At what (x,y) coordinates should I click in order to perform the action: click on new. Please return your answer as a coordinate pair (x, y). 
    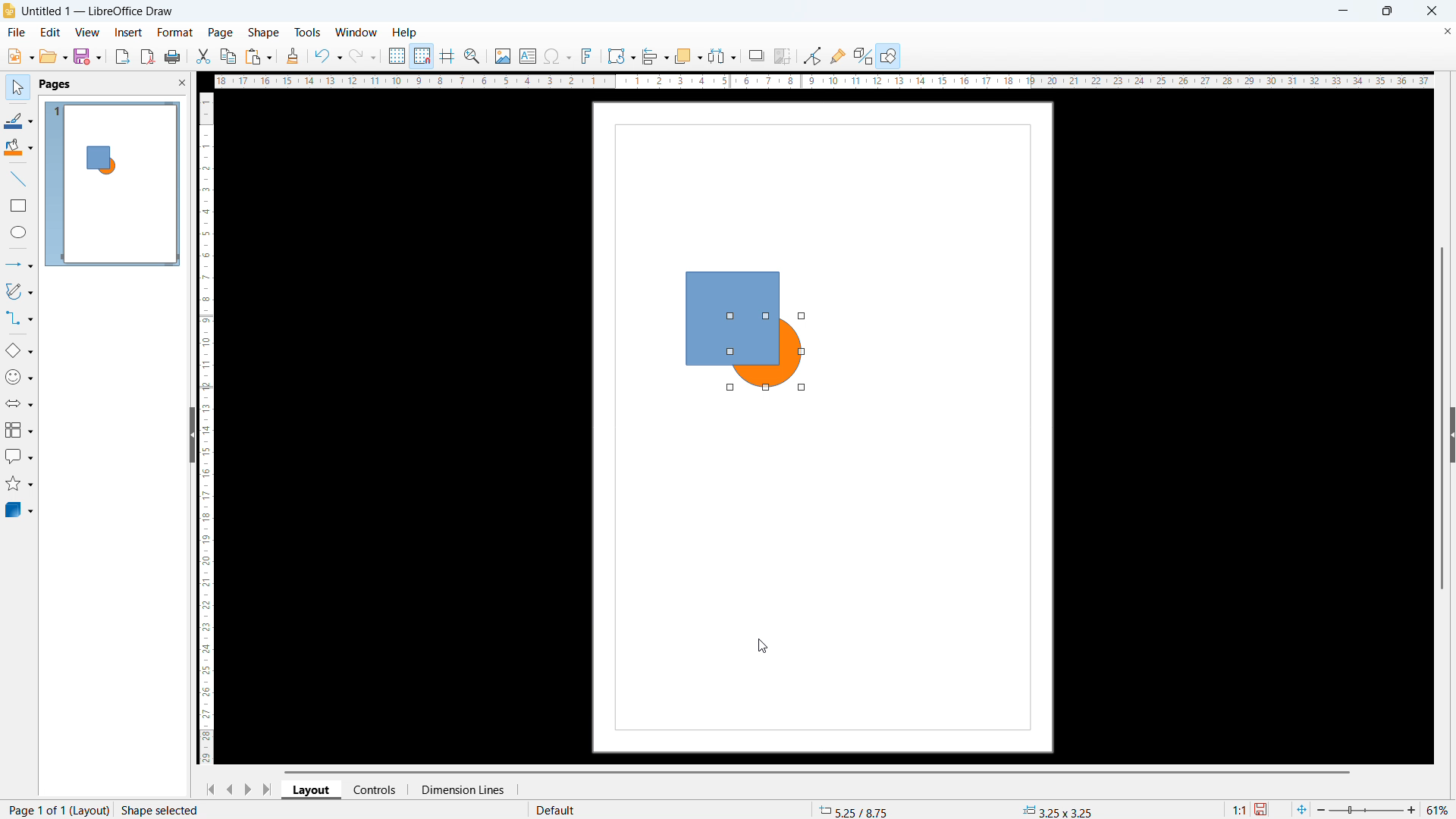
    Looking at the image, I should click on (20, 56).